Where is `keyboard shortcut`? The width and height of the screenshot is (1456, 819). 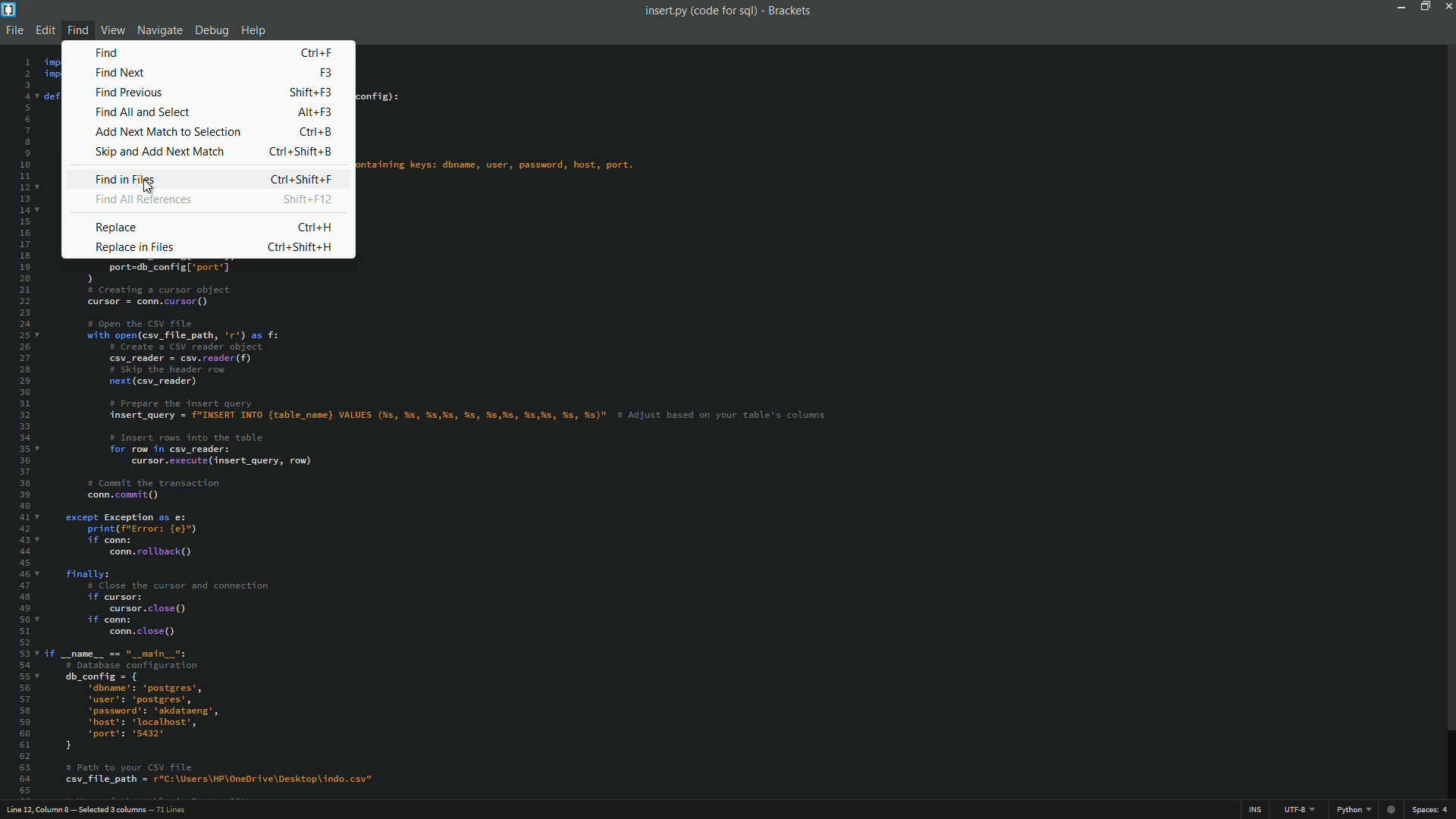 keyboard shortcut is located at coordinates (315, 113).